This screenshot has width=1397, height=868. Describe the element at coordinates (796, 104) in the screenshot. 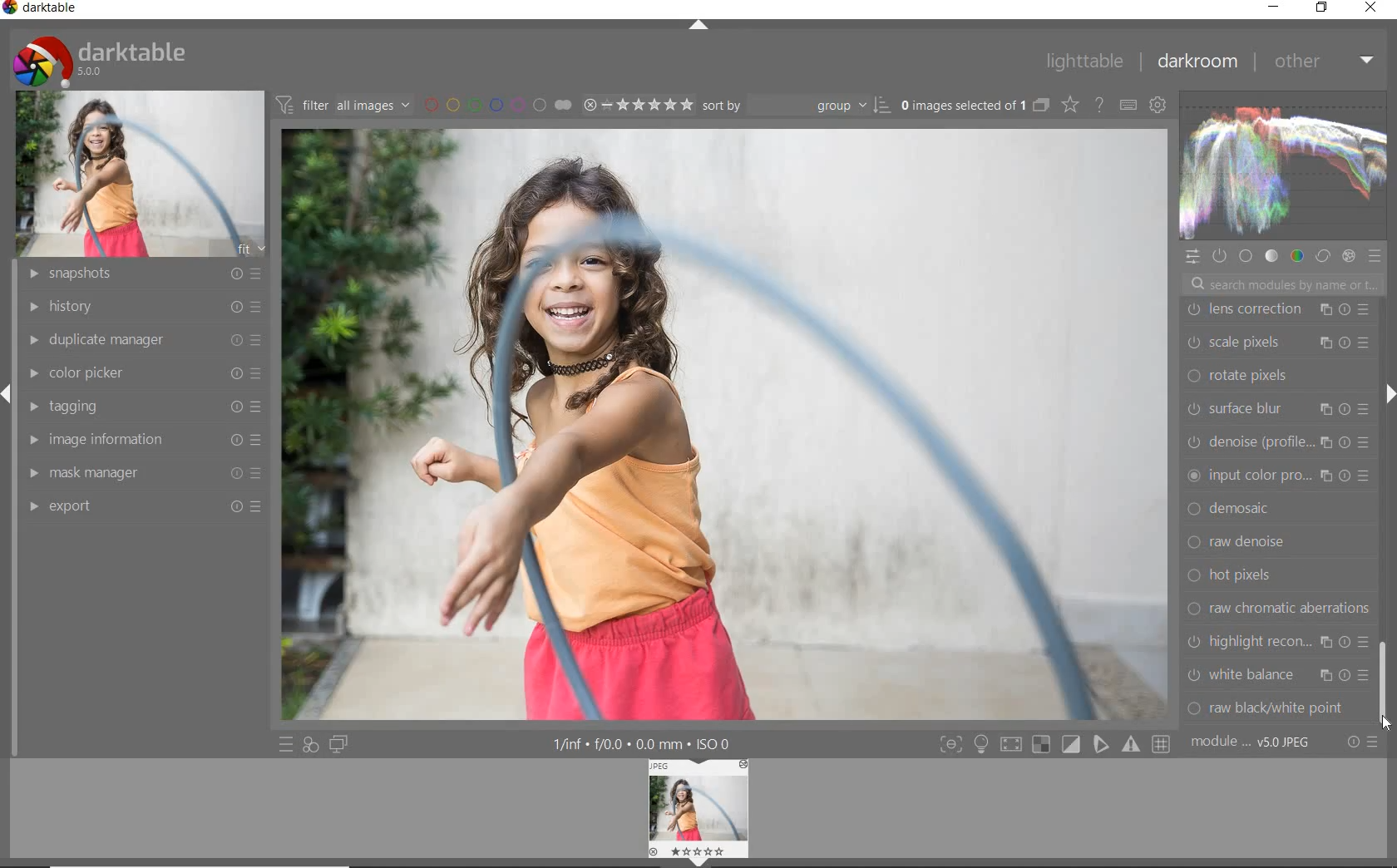

I see `sort` at that location.